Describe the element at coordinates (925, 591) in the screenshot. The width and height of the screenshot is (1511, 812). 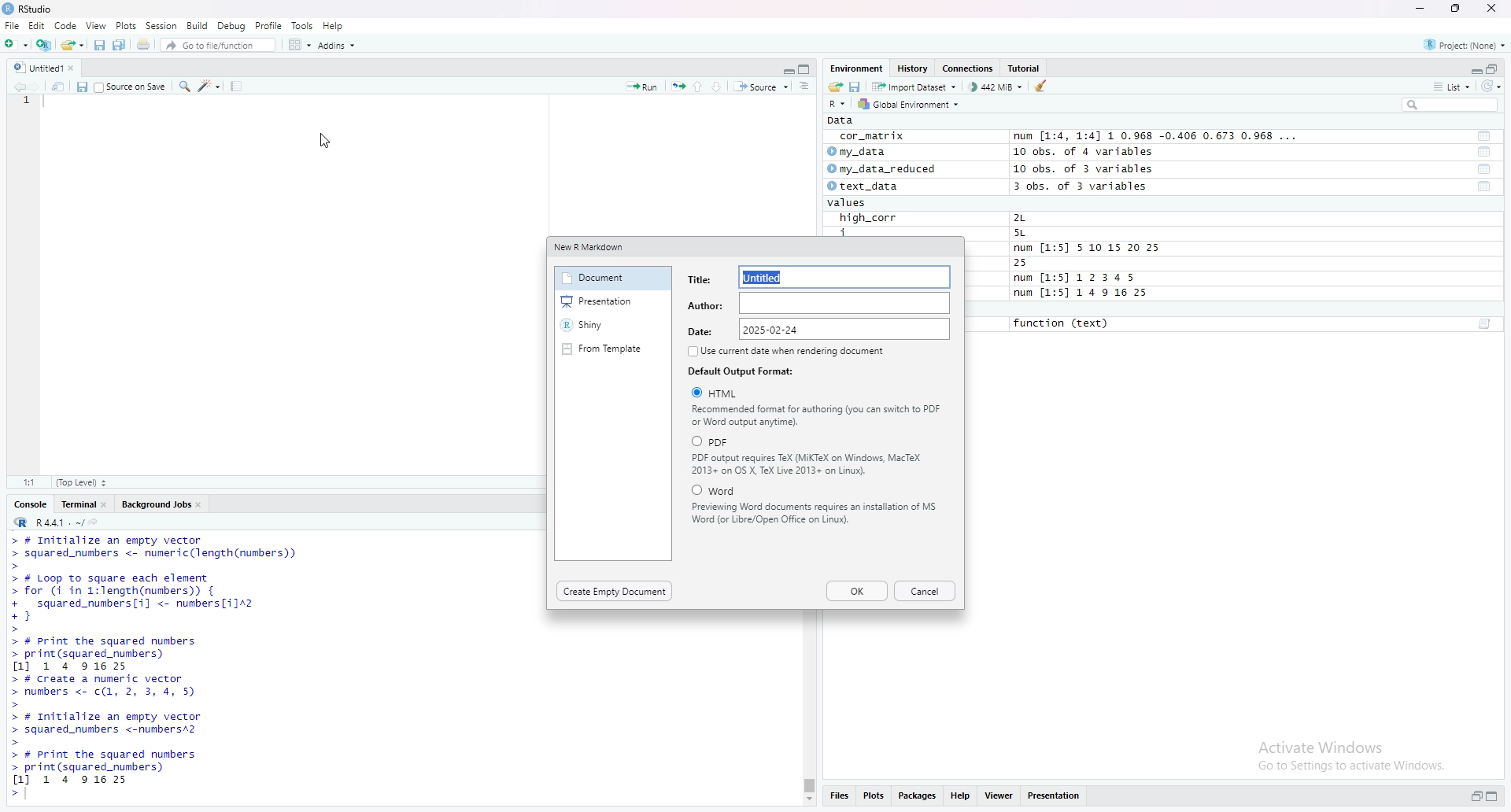
I see `Cancel` at that location.